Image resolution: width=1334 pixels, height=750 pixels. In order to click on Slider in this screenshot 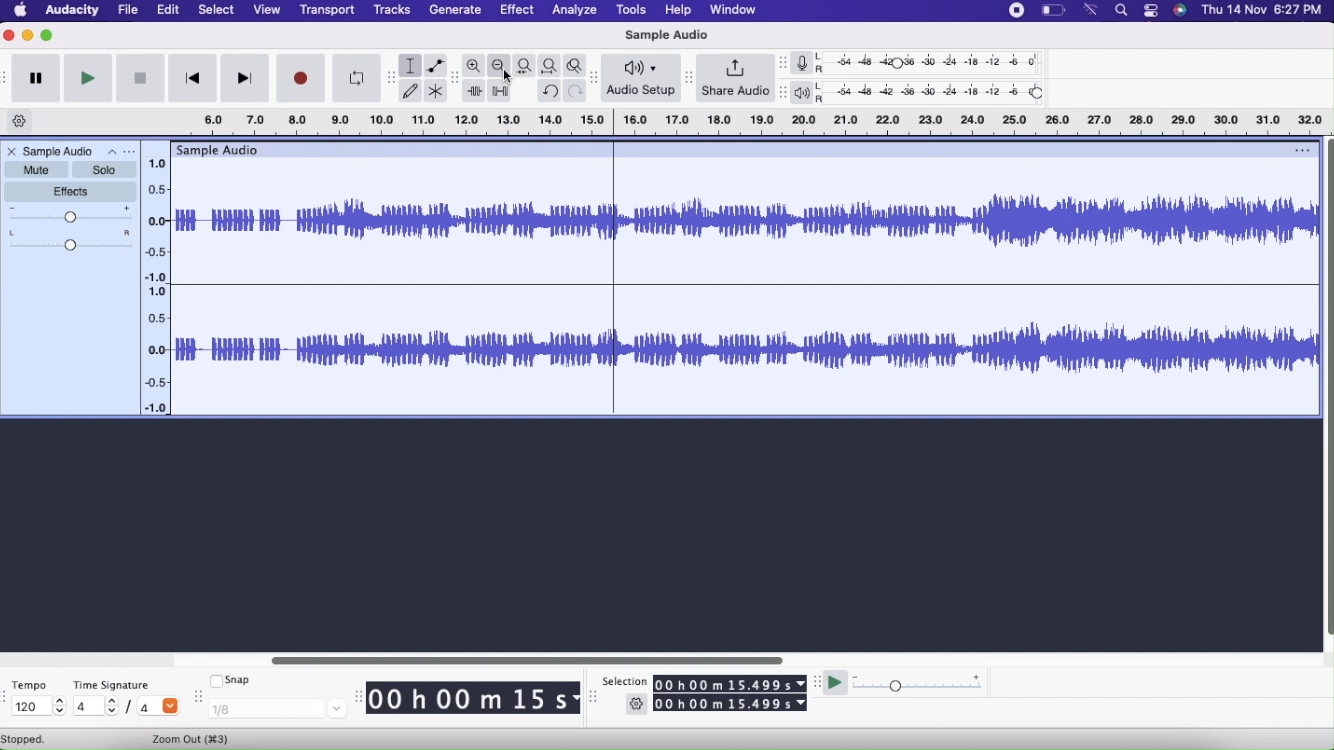, I will do `click(156, 281)`.